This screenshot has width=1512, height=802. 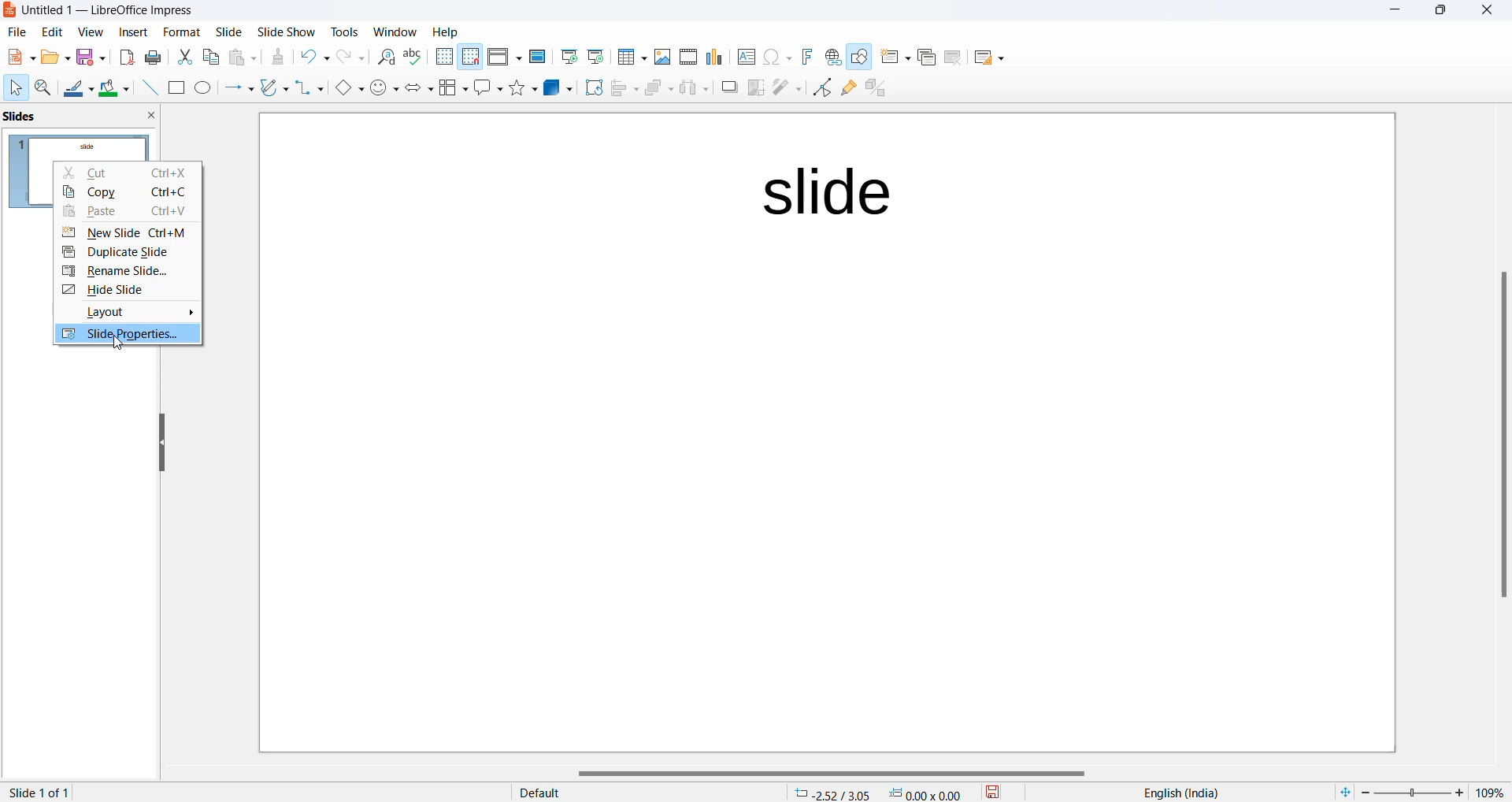 What do you see at coordinates (287, 33) in the screenshot?
I see `slide show` at bounding box center [287, 33].